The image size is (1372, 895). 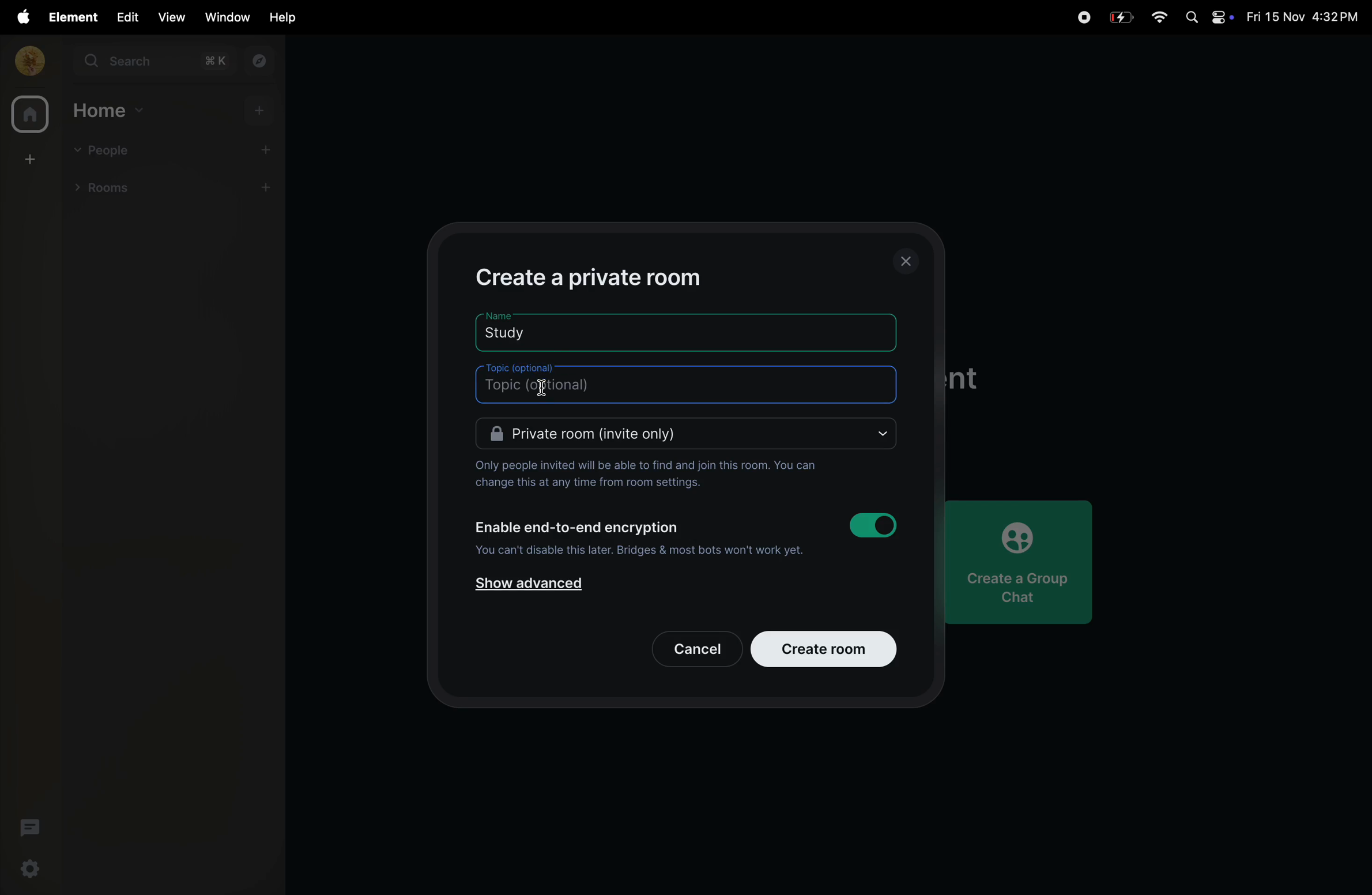 What do you see at coordinates (171, 17) in the screenshot?
I see `view` at bounding box center [171, 17].